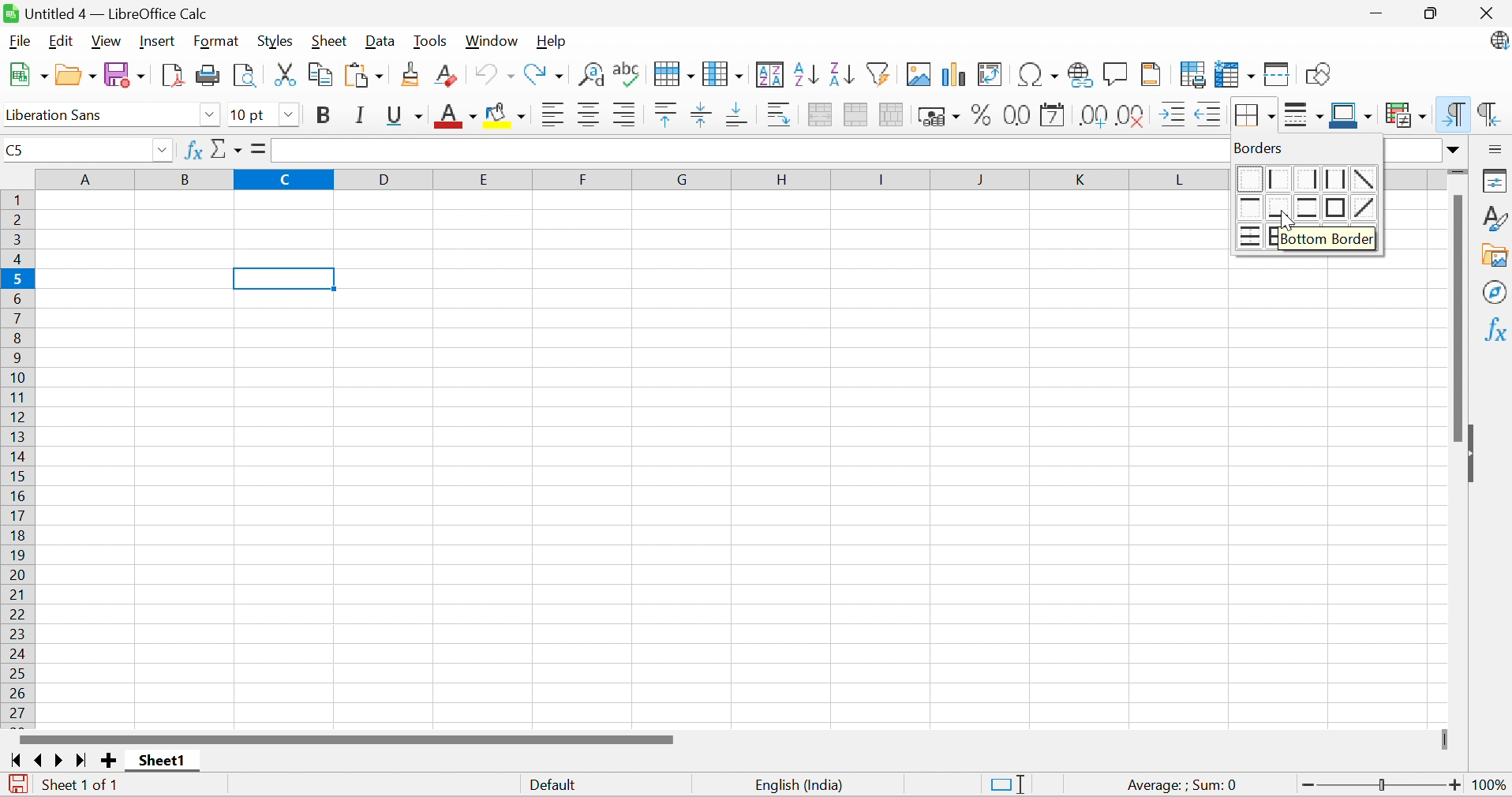 The height and width of the screenshot is (797, 1512). Describe the element at coordinates (378, 42) in the screenshot. I see `Data` at that location.